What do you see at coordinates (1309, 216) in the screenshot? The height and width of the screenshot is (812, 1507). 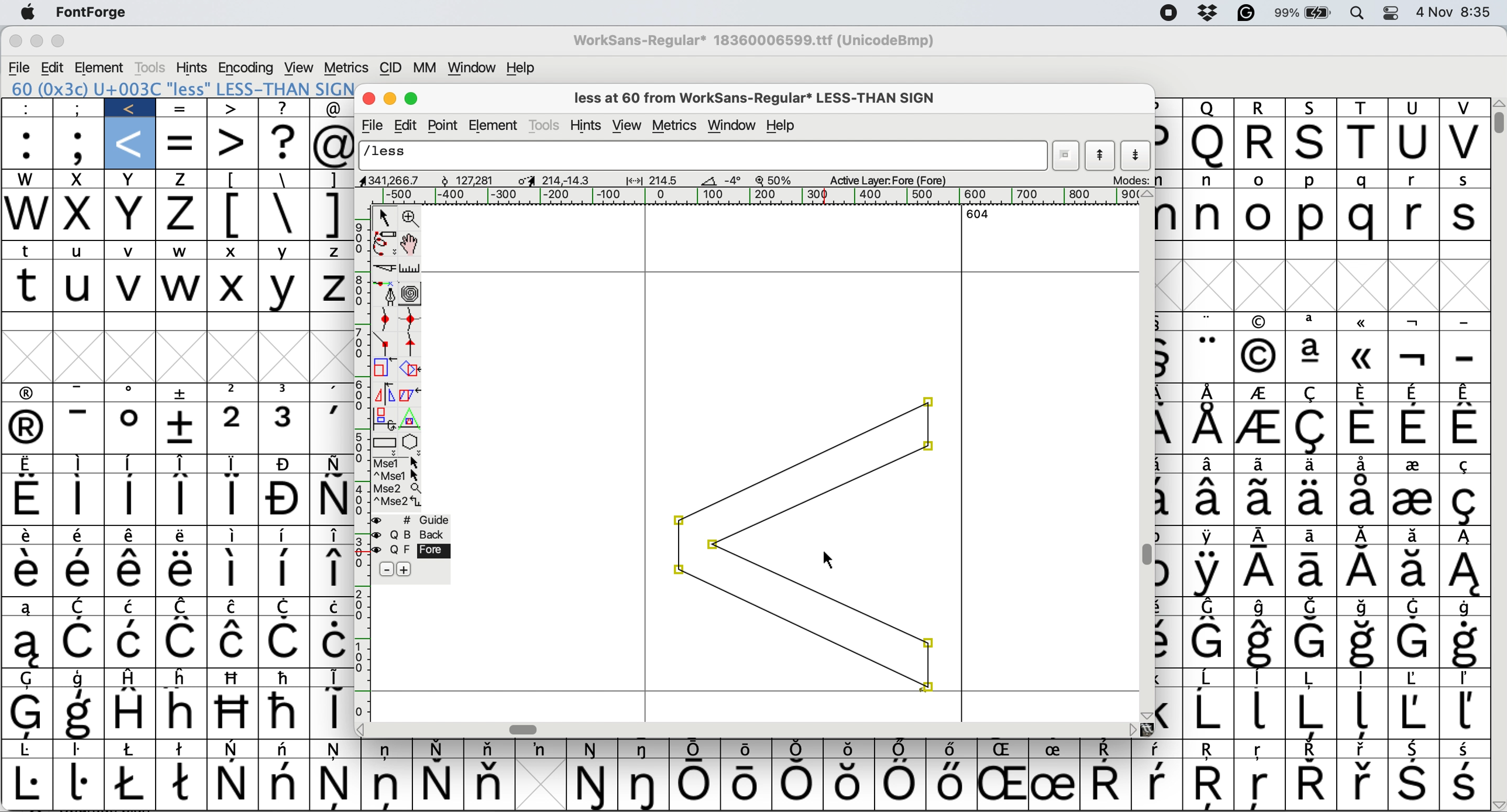 I see `p` at bounding box center [1309, 216].